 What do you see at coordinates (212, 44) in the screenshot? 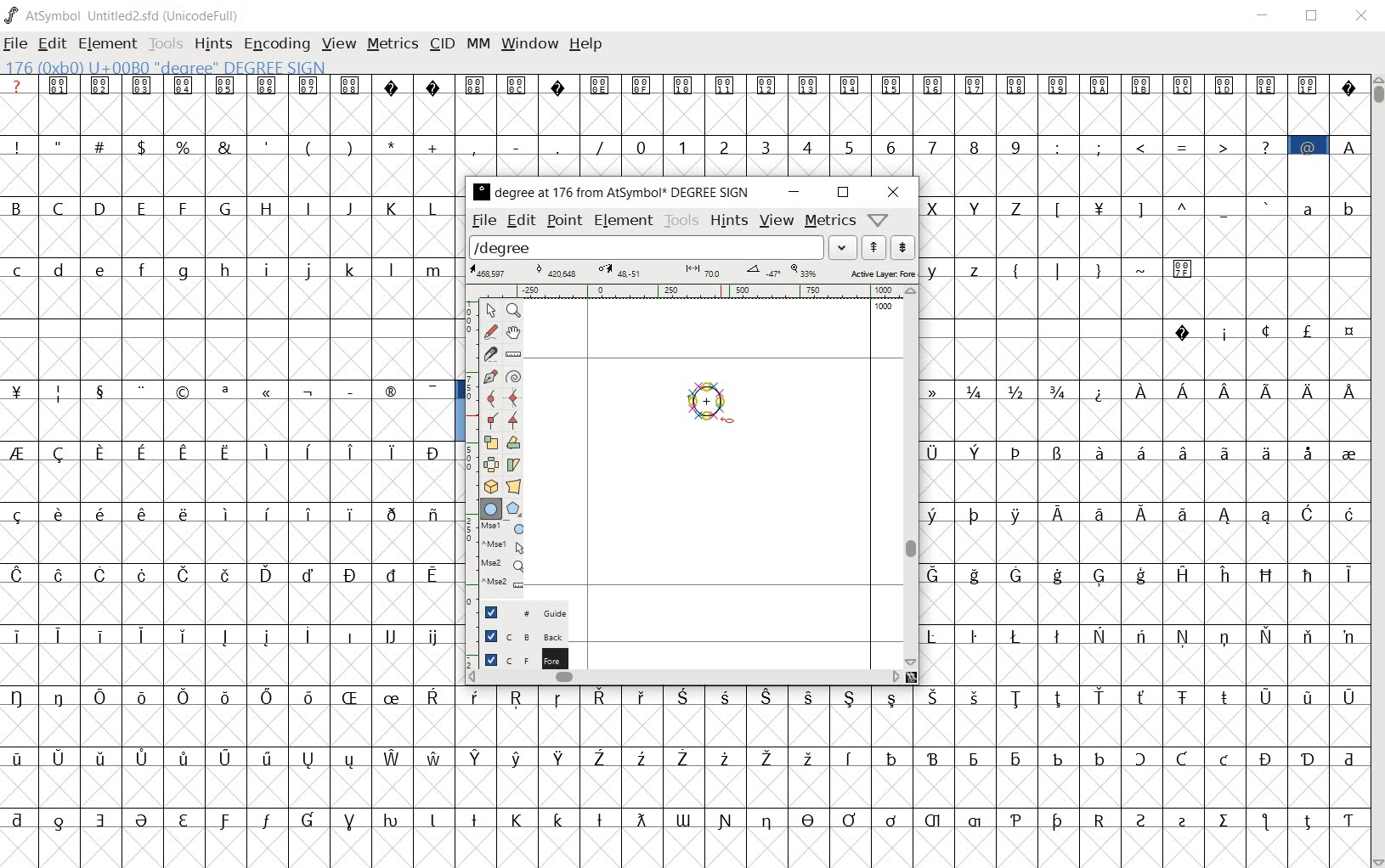
I see `hints` at bounding box center [212, 44].